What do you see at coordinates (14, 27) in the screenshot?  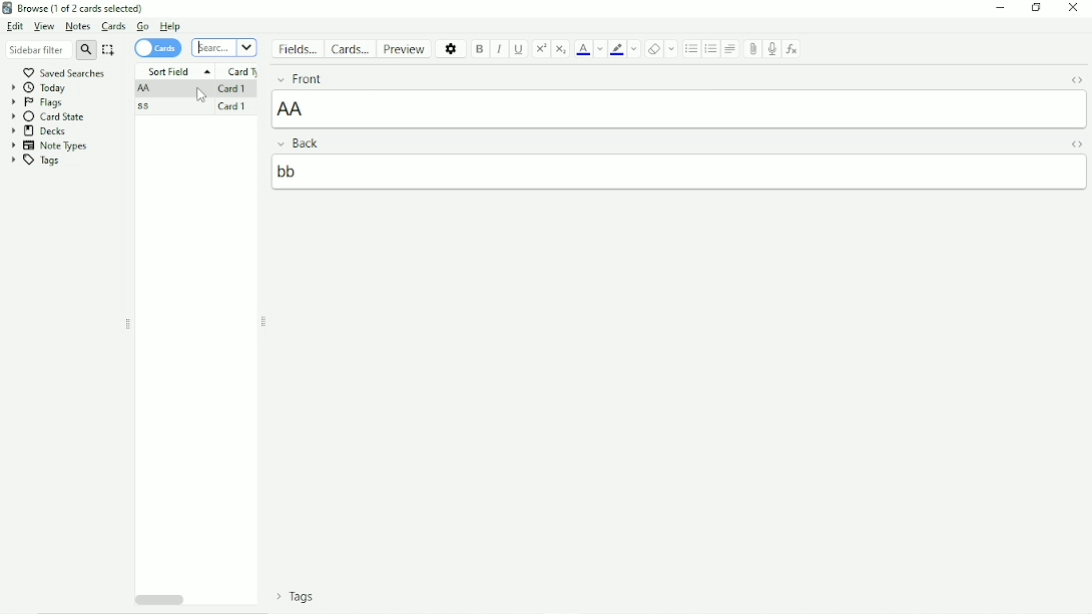 I see `Edit` at bounding box center [14, 27].